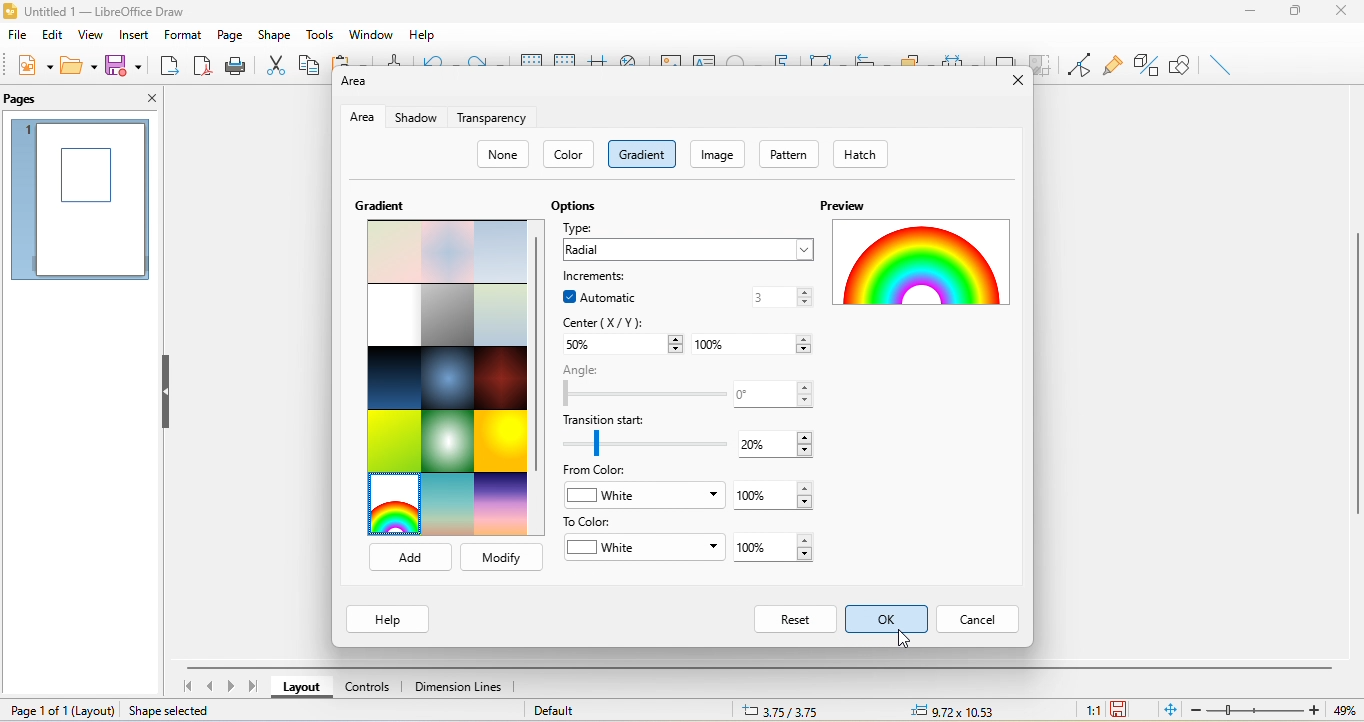  I want to click on transition start 20%, so click(688, 435).